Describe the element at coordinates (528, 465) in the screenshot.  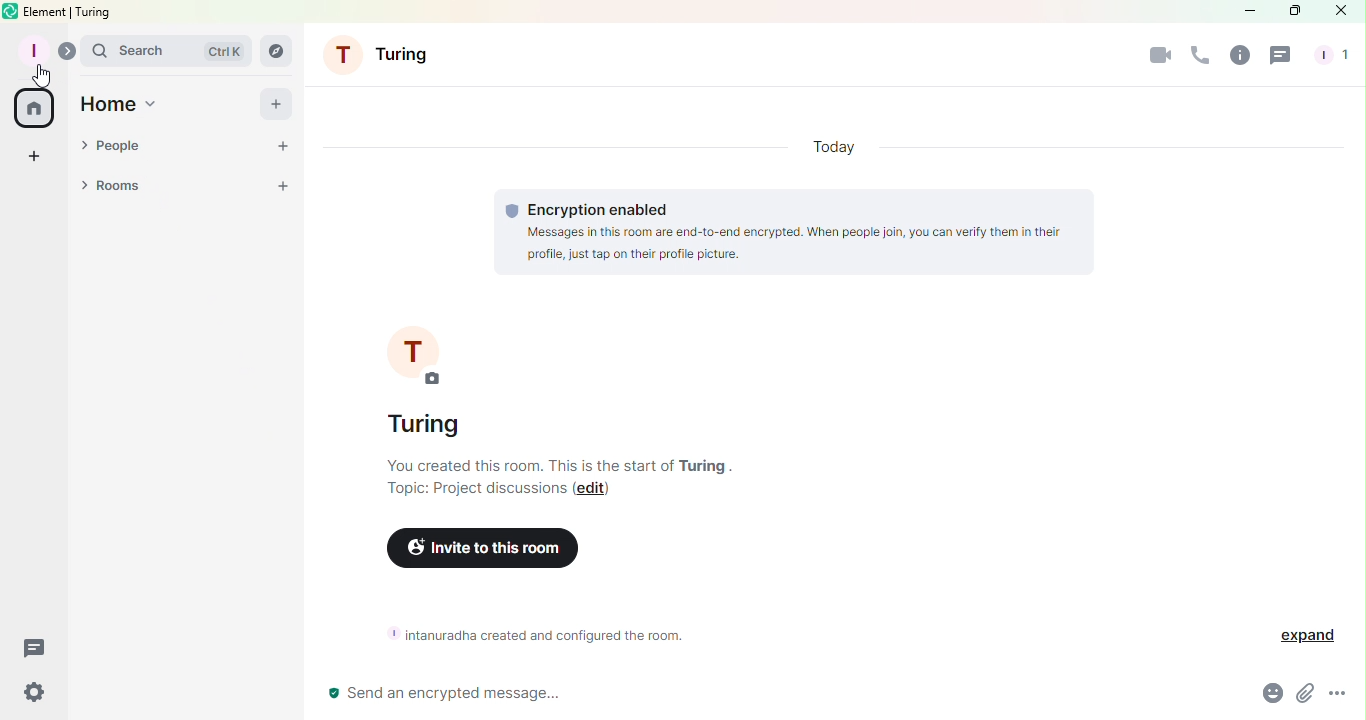
I see `you created this room. this is the srart of` at that location.